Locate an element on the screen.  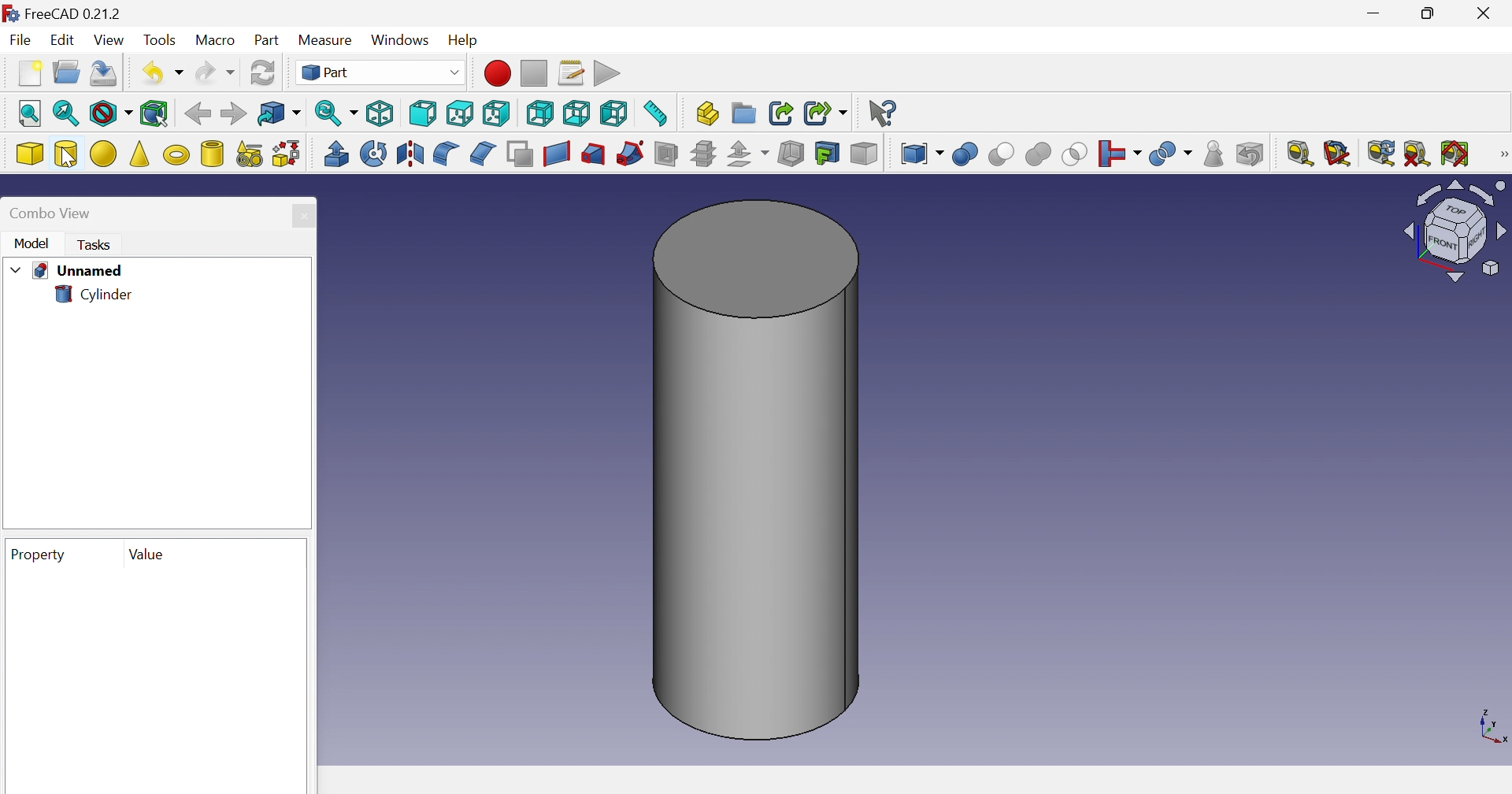
Create projection on surface... is located at coordinates (828, 153).